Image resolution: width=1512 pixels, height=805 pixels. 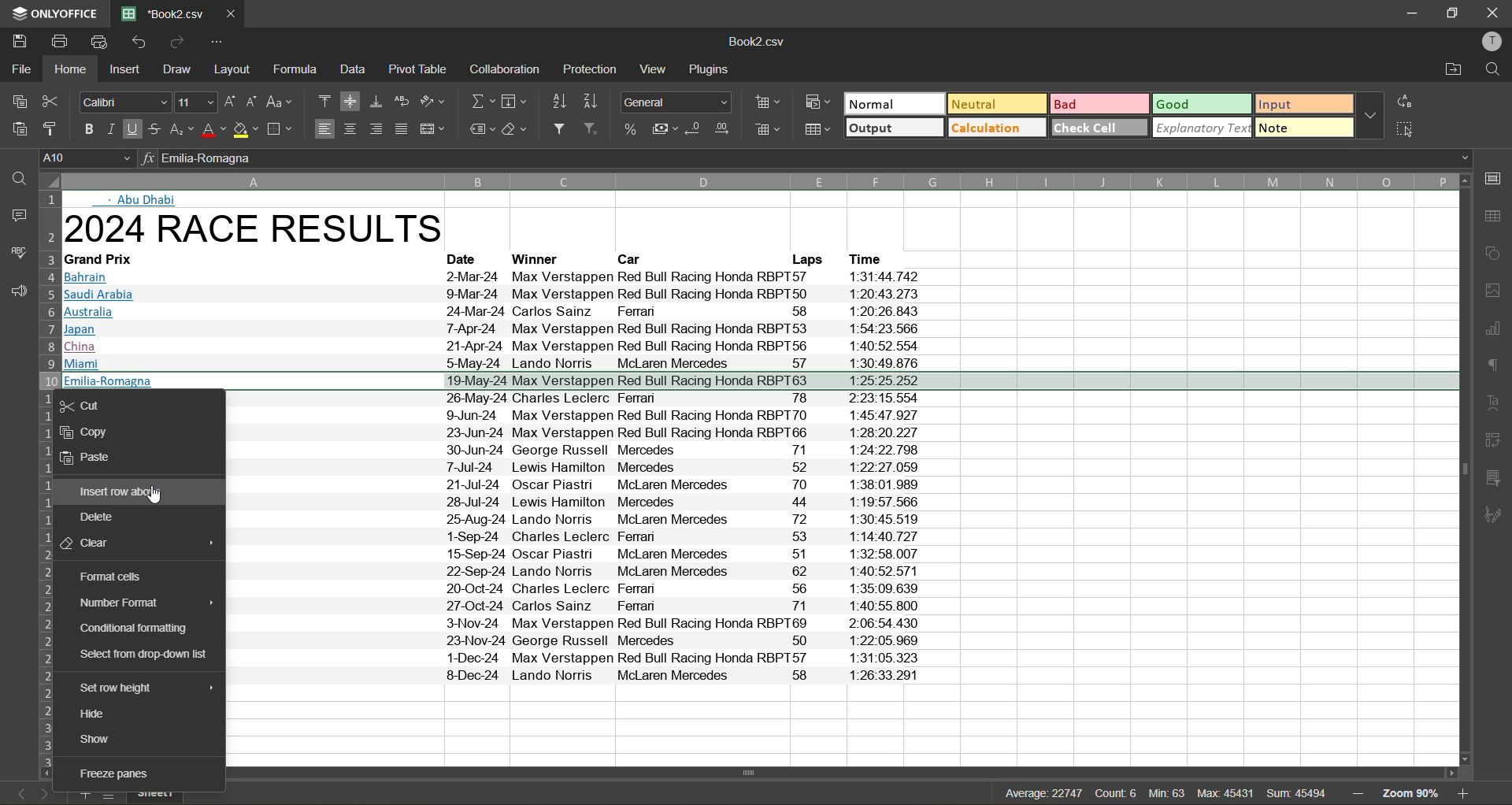 I want to click on image, so click(x=1497, y=291).